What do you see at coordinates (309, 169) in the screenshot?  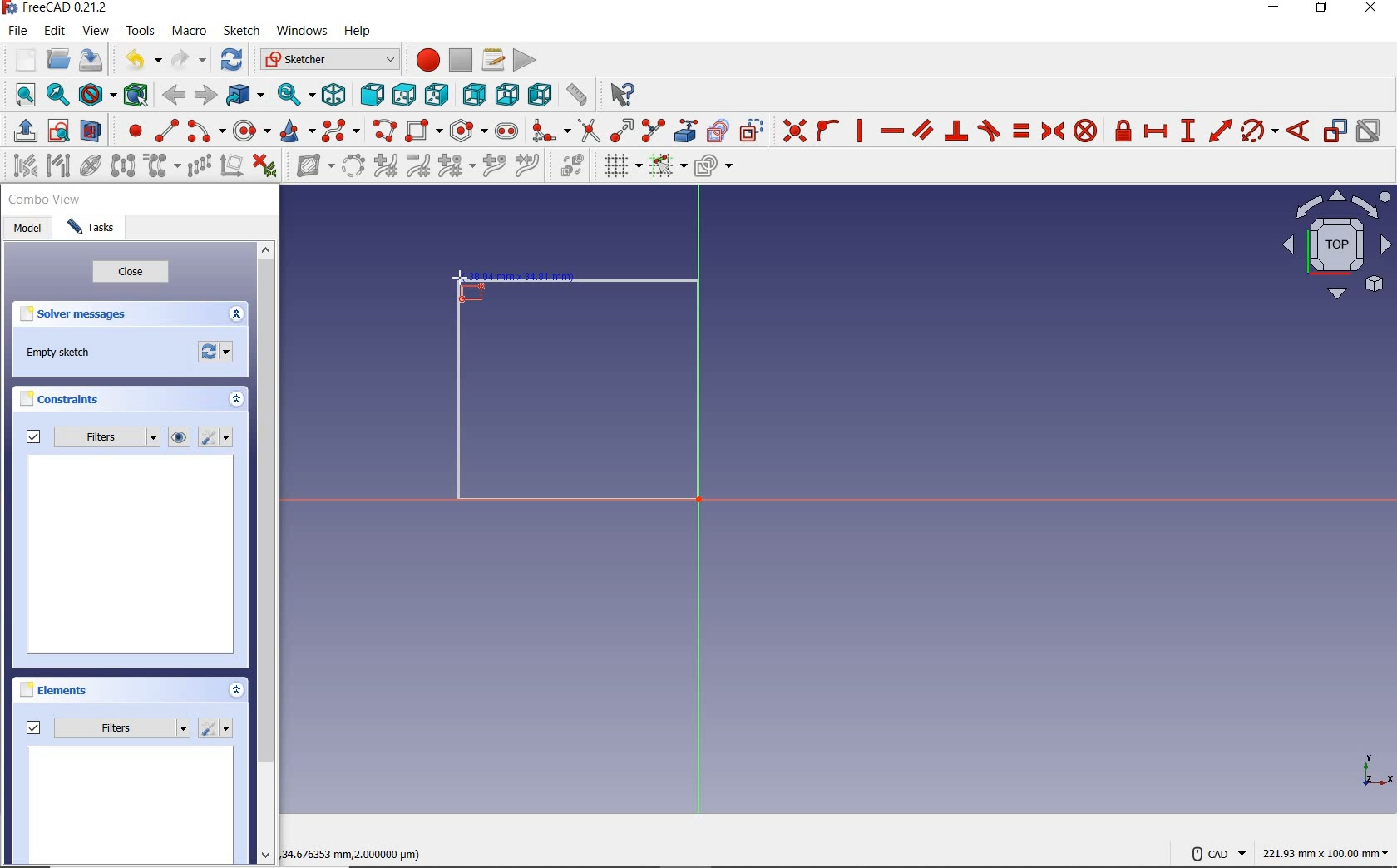 I see `show/hide b-splineinformation layer` at bounding box center [309, 169].